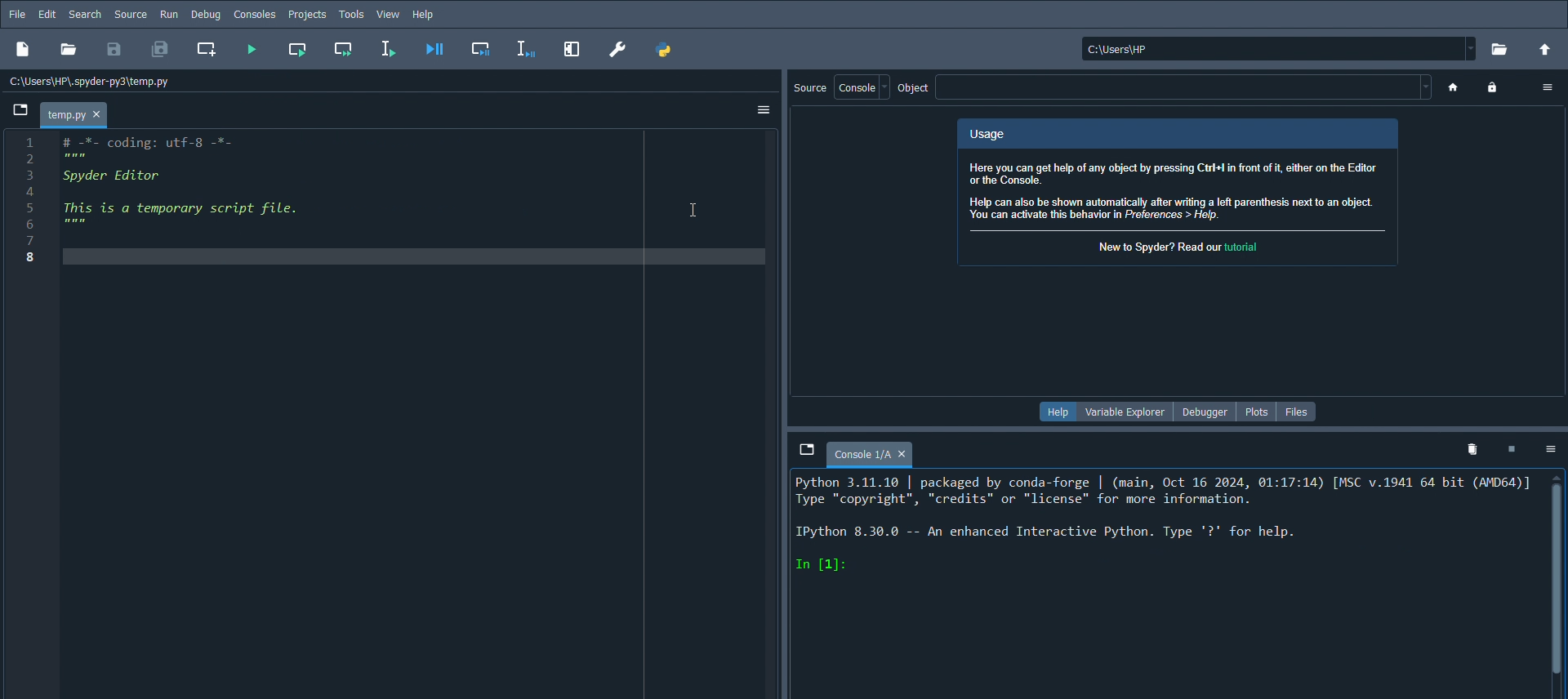 This screenshot has width=1568, height=699. Describe the element at coordinates (1182, 247) in the screenshot. I see `new to spyder ? read our tutorial` at that location.